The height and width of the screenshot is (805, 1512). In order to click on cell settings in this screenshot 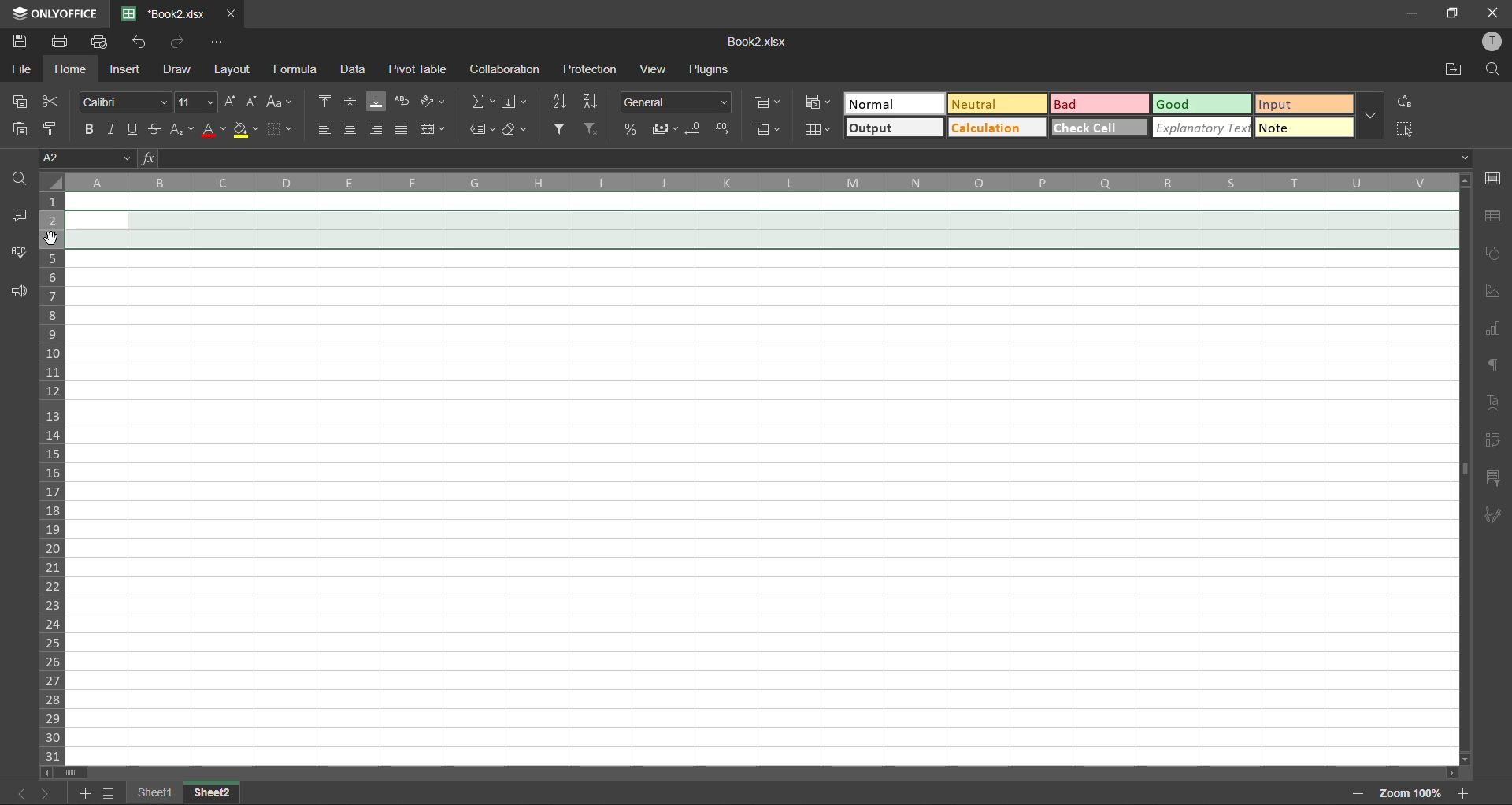, I will do `click(1492, 180)`.